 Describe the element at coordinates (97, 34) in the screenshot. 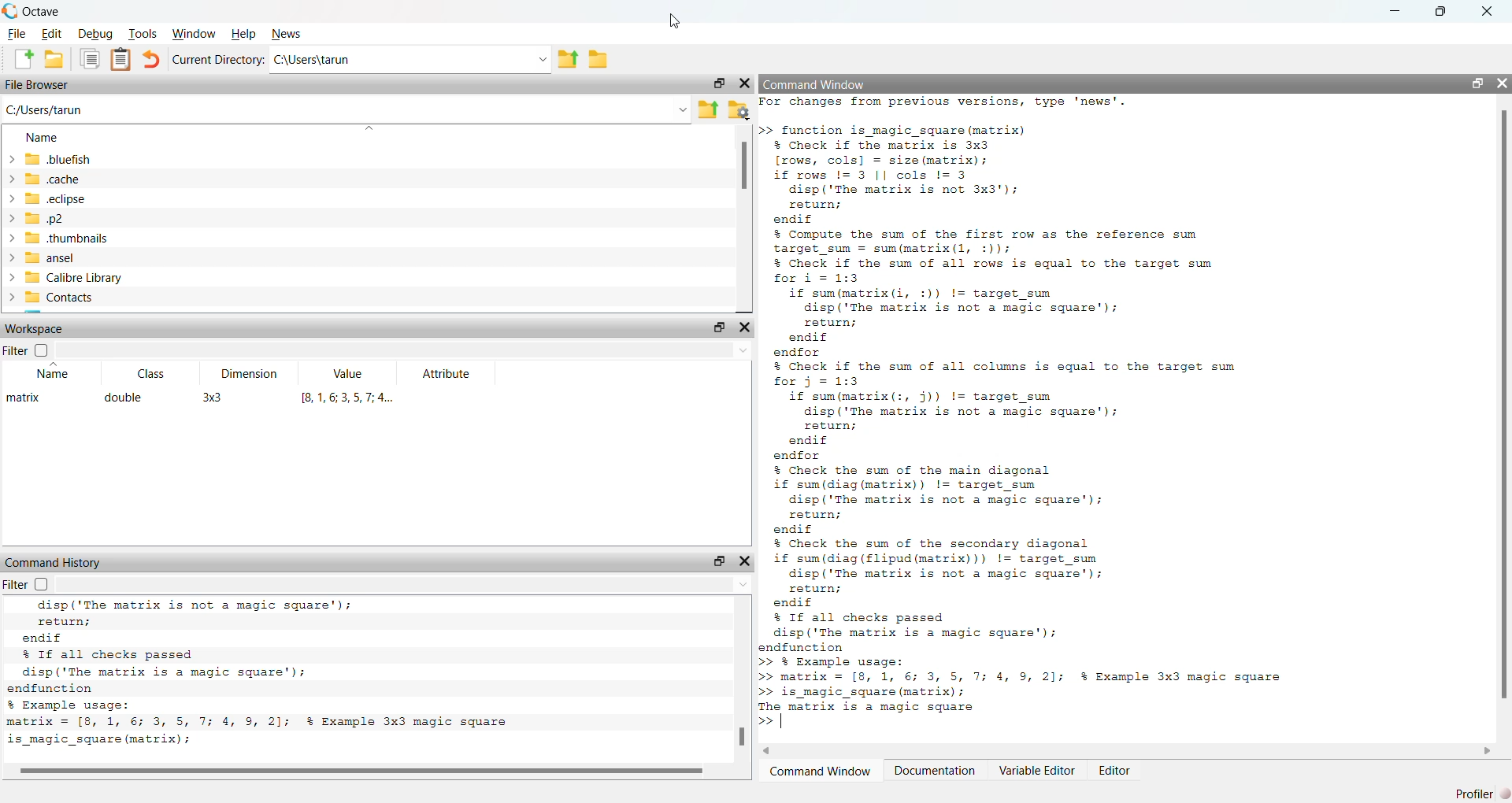

I see `Debug` at that location.